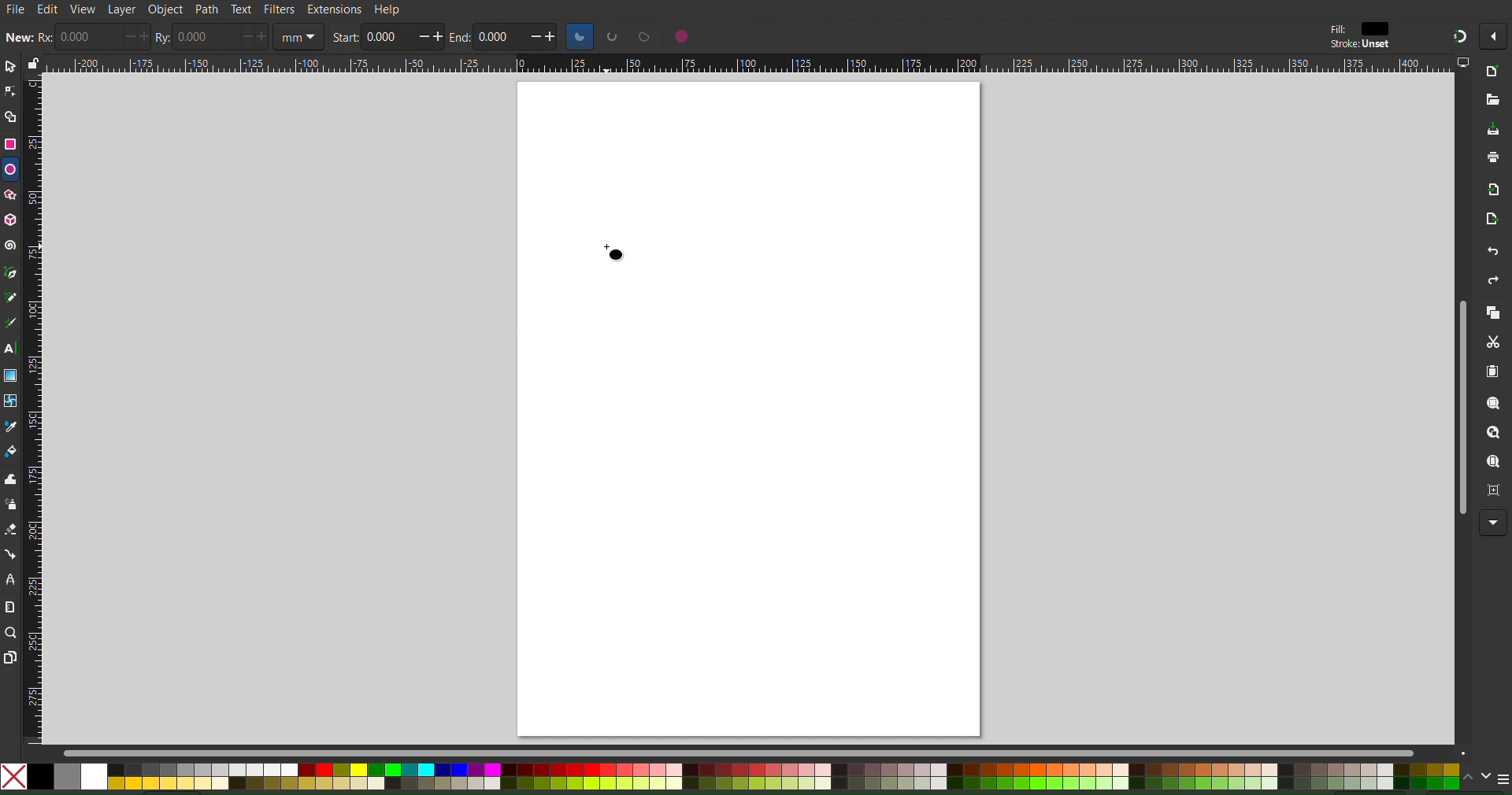 This screenshot has width=1512, height=795. Describe the element at coordinates (34, 409) in the screenshot. I see `Vertical Ruler` at that location.